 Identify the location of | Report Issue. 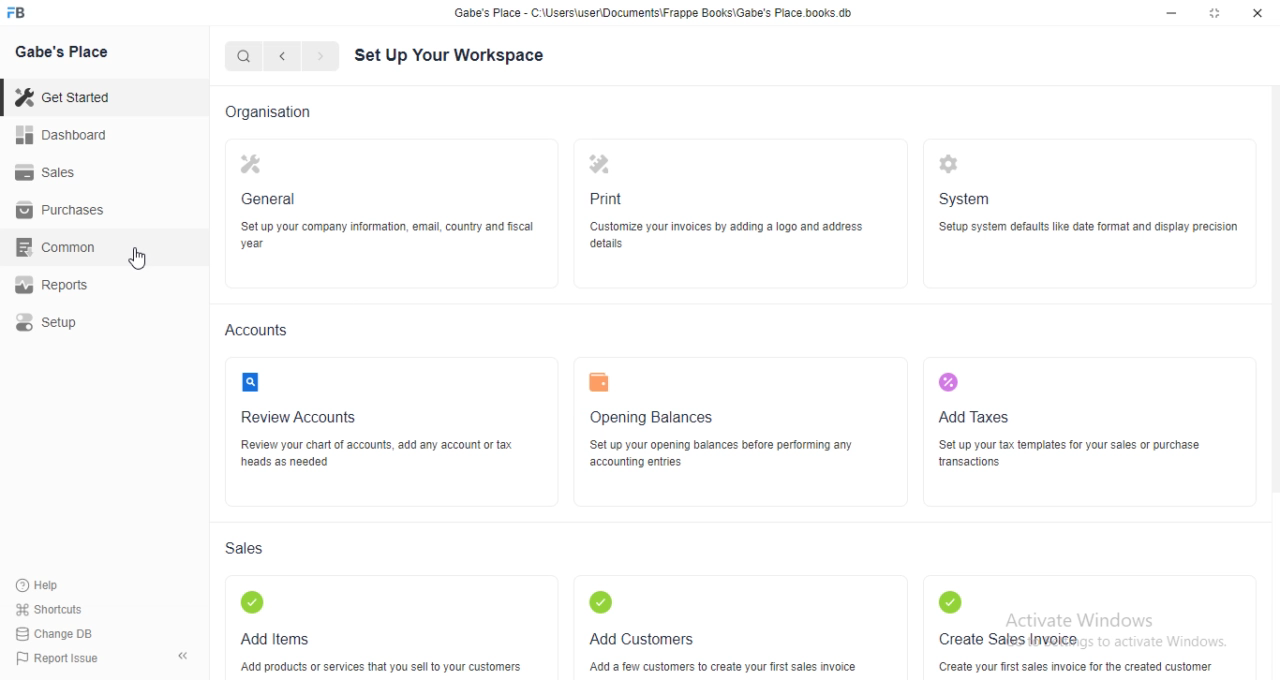
(59, 658).